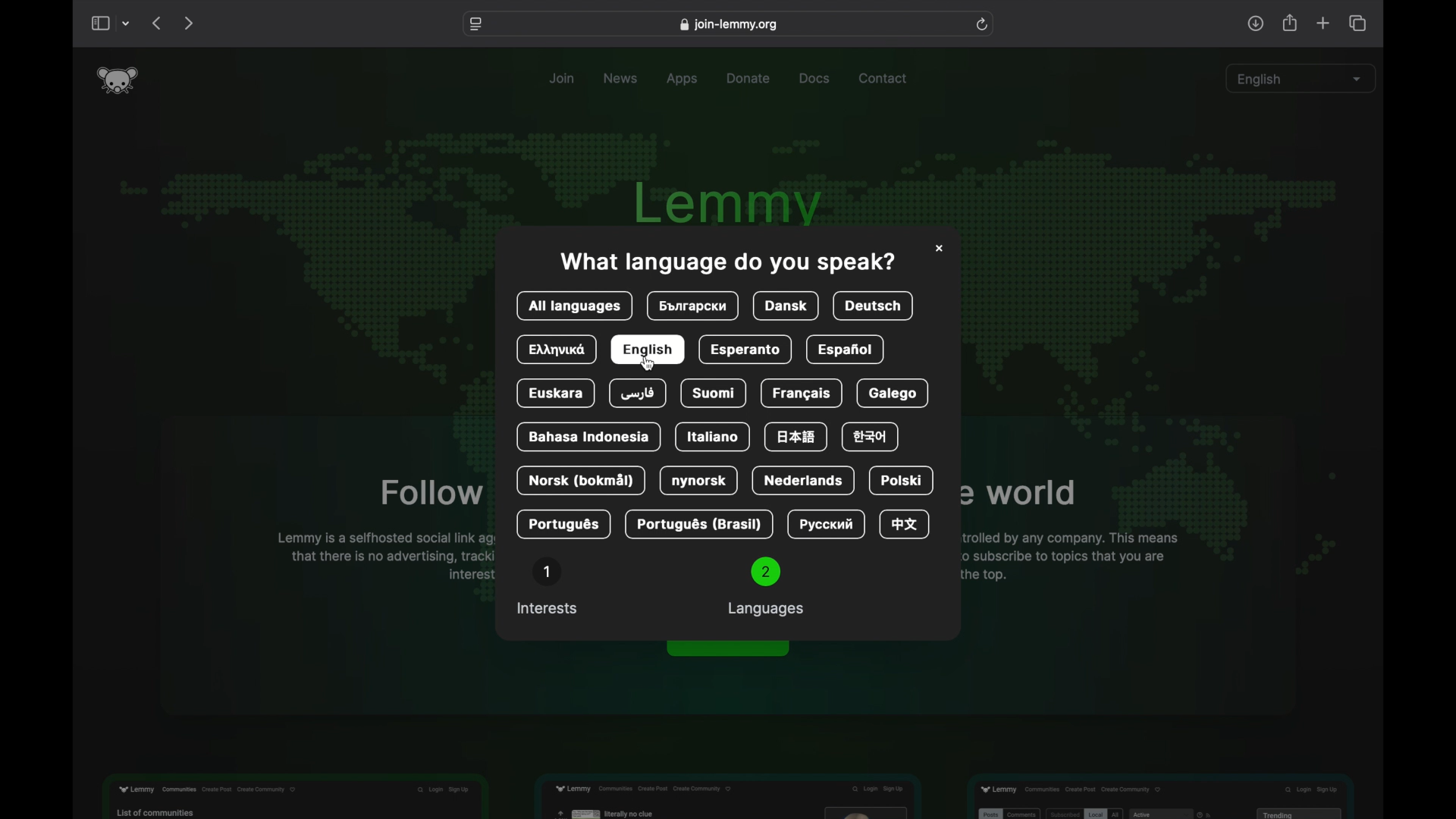 The width and height of the screenshot is (1456, 819). What do you see at coordinates (1357, 24) in the screenshot?
I see `show tab overview` at bounding box center [1357, 24].